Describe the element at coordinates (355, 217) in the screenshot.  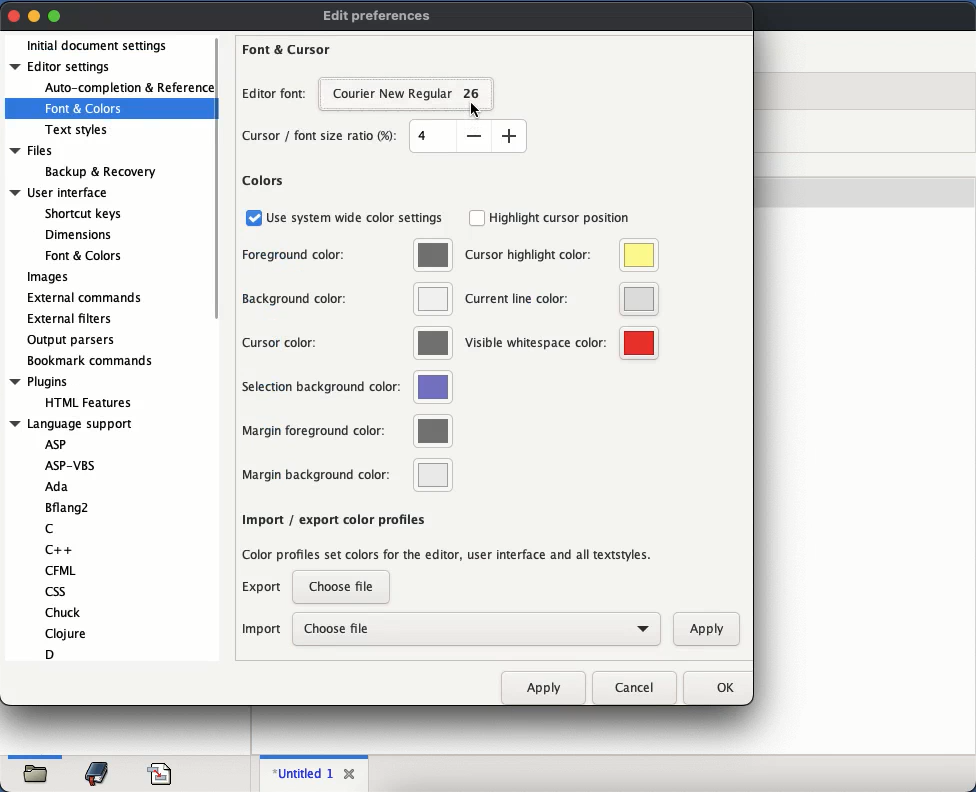
I see `use system wide color settings` at that location.